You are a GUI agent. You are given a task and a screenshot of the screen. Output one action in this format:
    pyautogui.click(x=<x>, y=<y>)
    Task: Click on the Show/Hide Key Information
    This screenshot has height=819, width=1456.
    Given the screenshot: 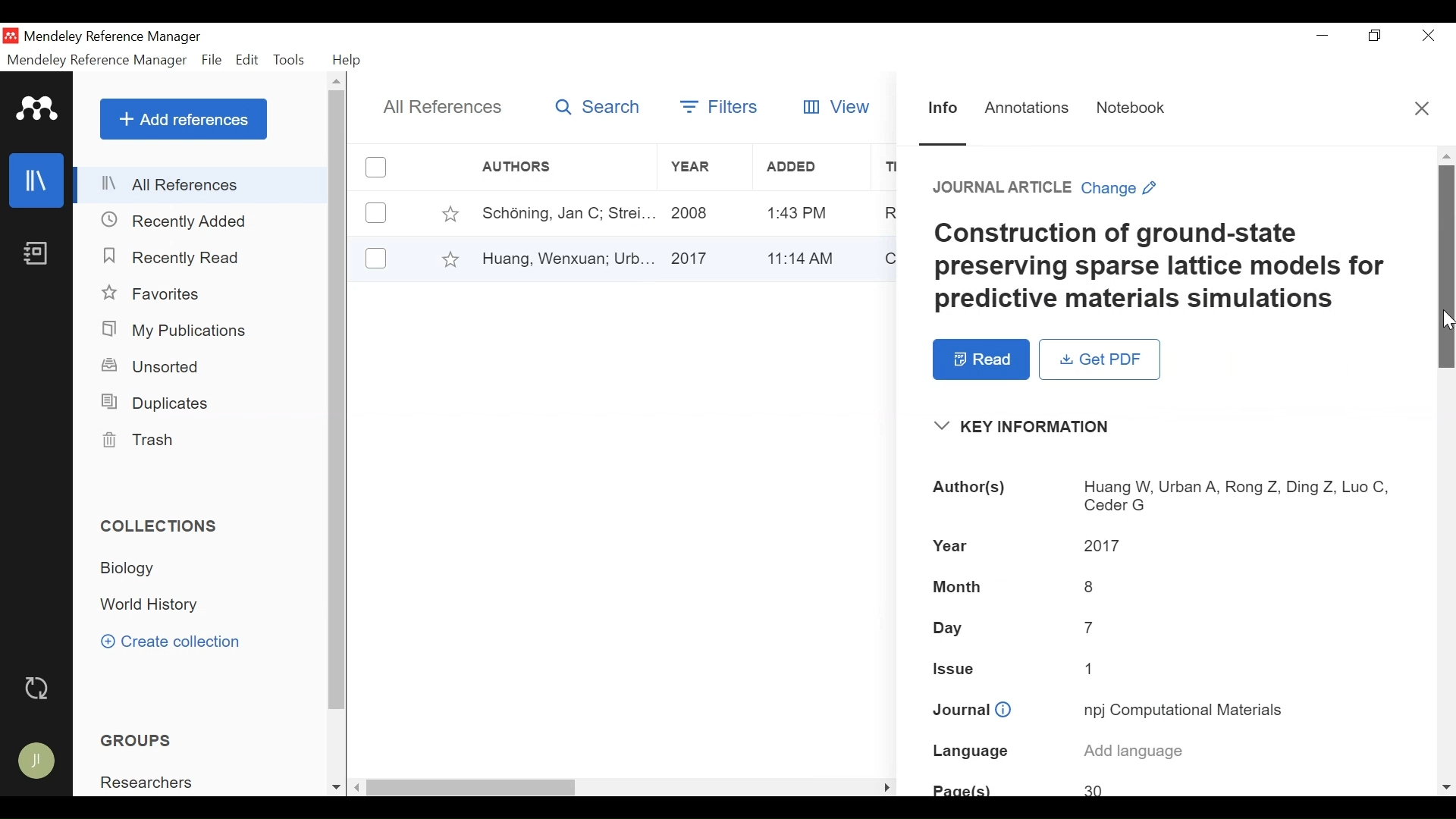 What is the action you would take?
    pyautogui.click(x=1032, y=427)
    